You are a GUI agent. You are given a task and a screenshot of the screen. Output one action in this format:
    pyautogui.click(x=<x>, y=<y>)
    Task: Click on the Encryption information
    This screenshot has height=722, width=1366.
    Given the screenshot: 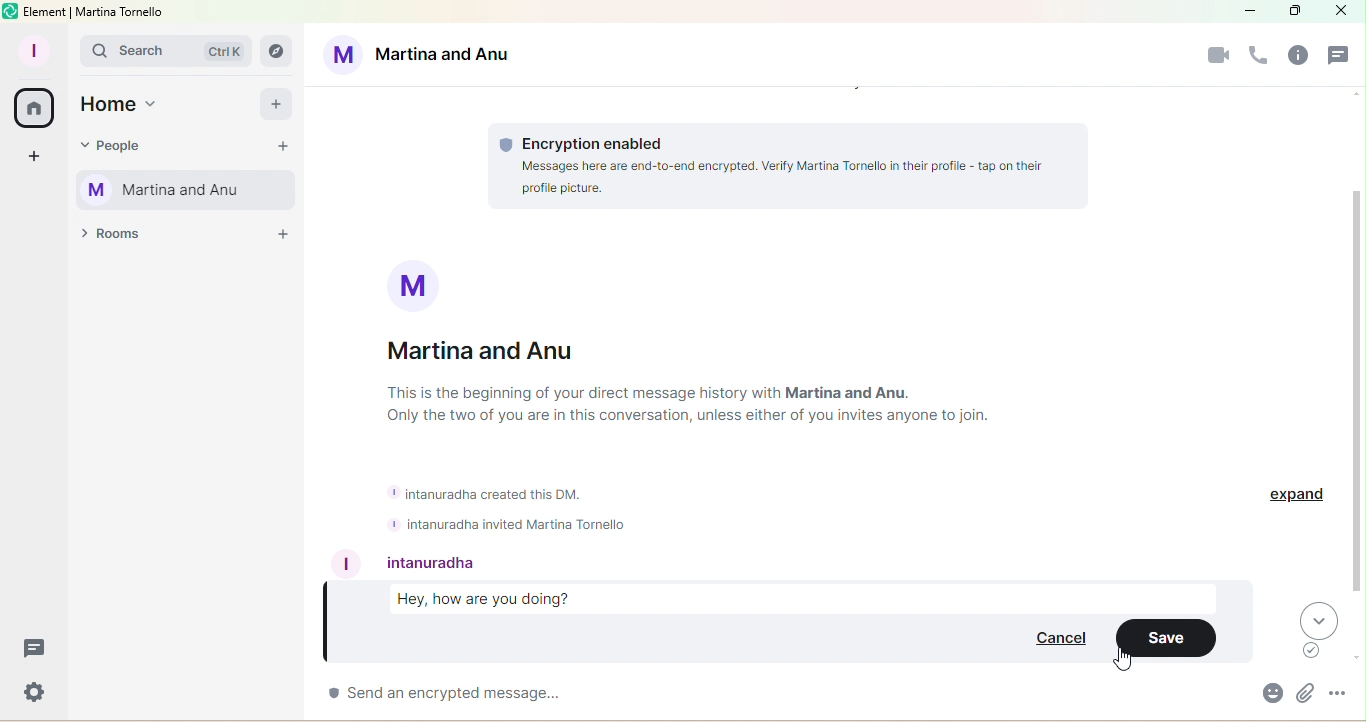 What is the action you would take?
    pyautogui.click(x=787, y=163)
    